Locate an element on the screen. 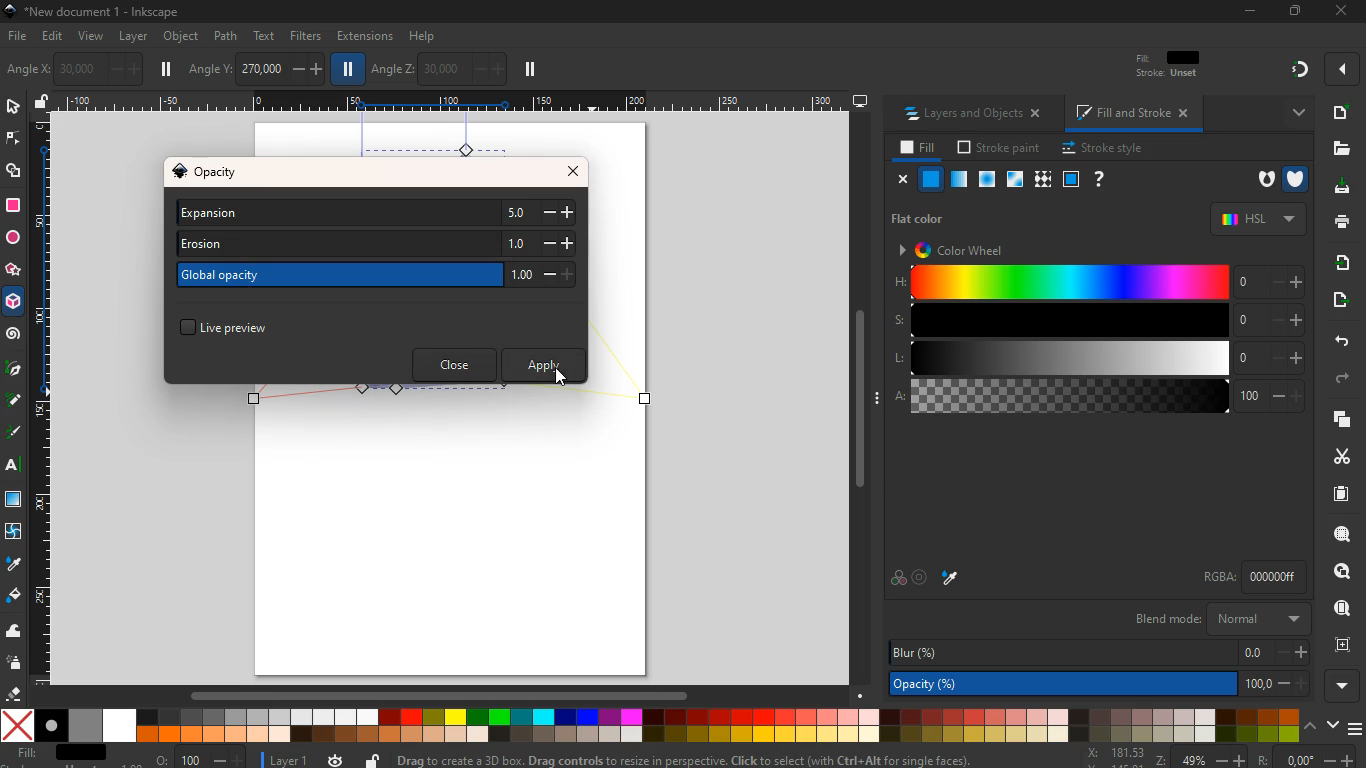 Image resolution: width=1366 pixels, height=768 pixels. draw is located at coordinates (13, 404).